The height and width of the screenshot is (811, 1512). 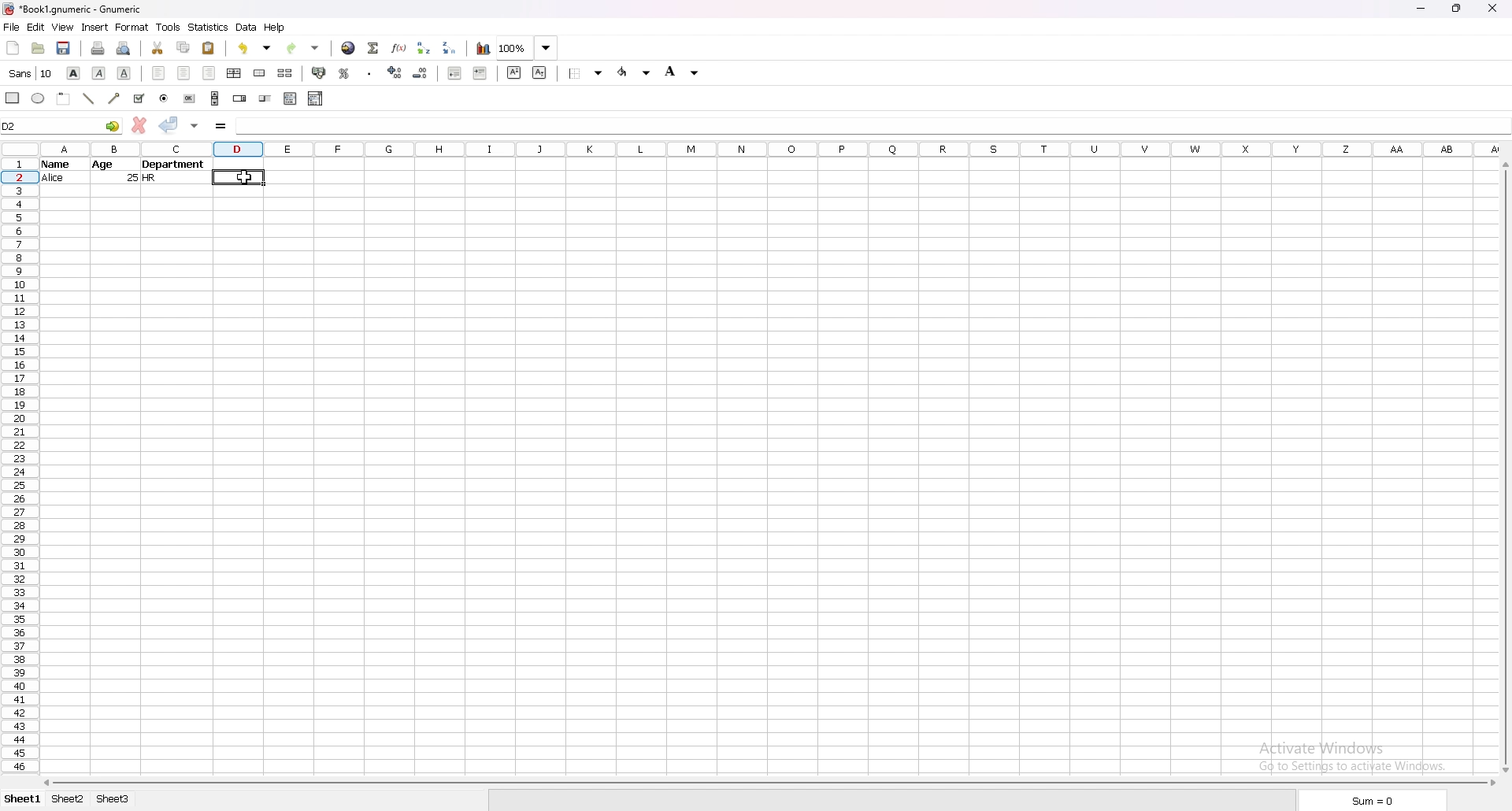 What do you see at coordinates (132, 27) in the screenshot?
I see `format` at bounding box center [132, 27].